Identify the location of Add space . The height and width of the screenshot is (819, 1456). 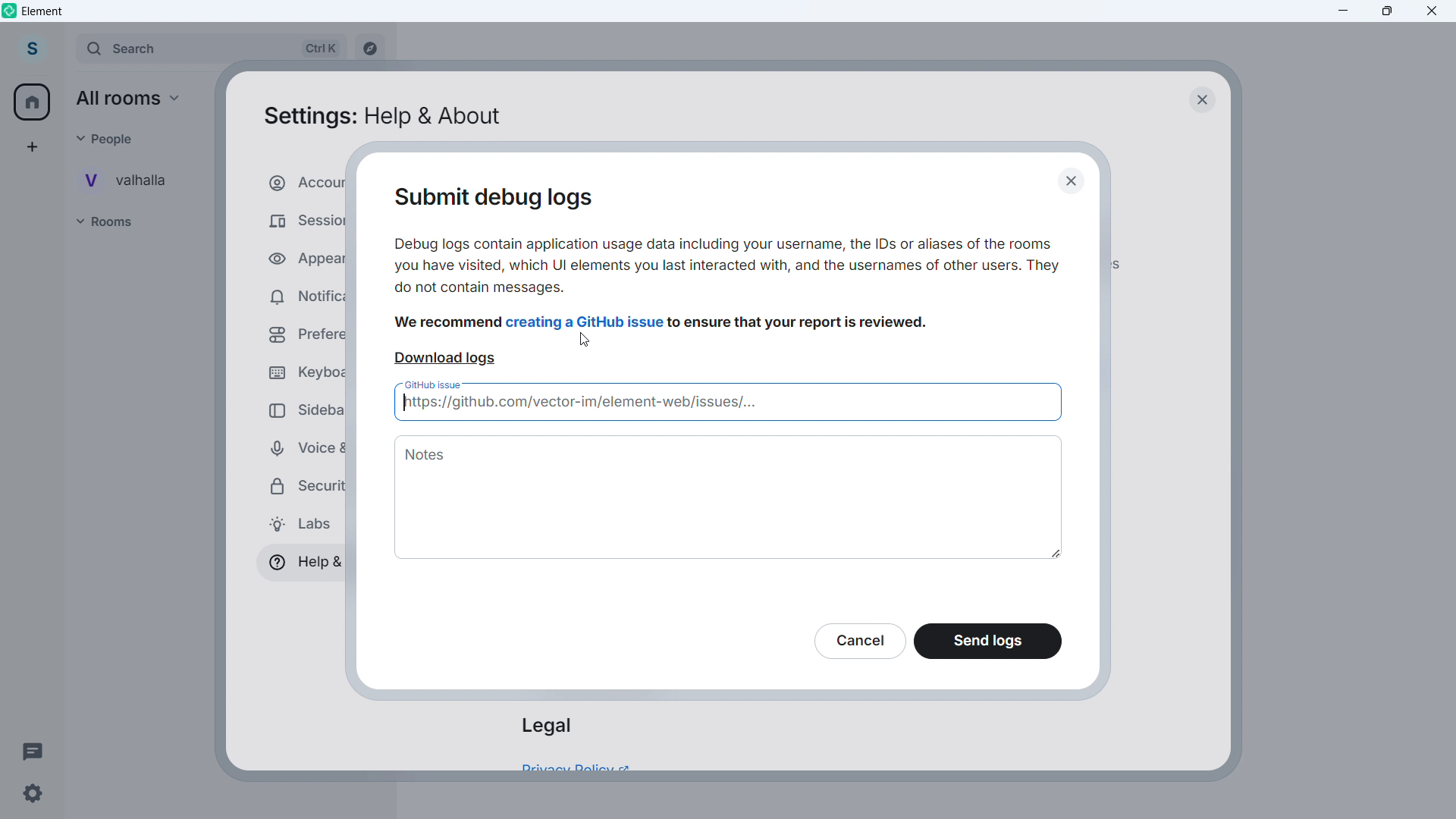
(30, 146).